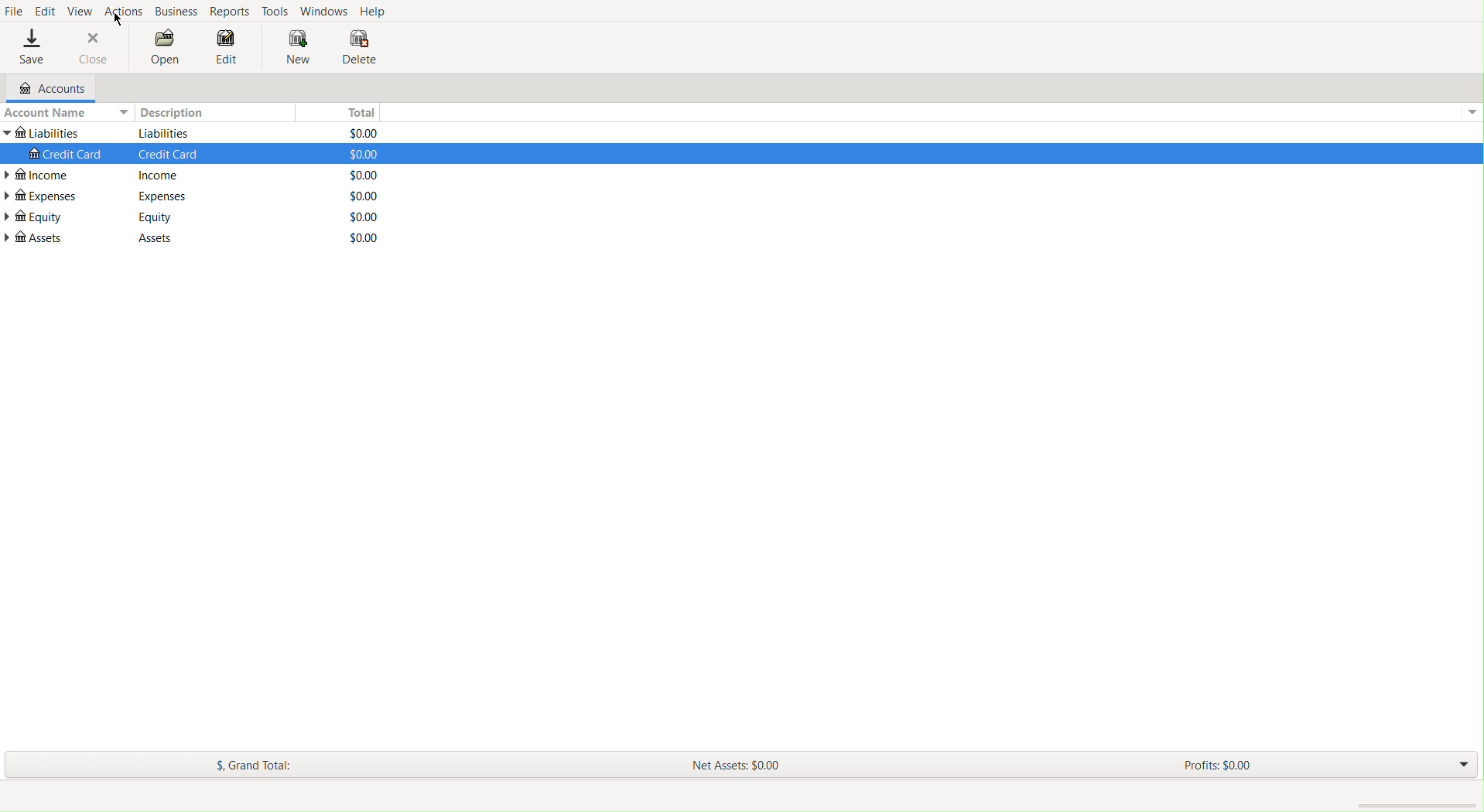  Describe the element at coordinates (260, 763) in the screenshot. I see `Grand Total` at that location.